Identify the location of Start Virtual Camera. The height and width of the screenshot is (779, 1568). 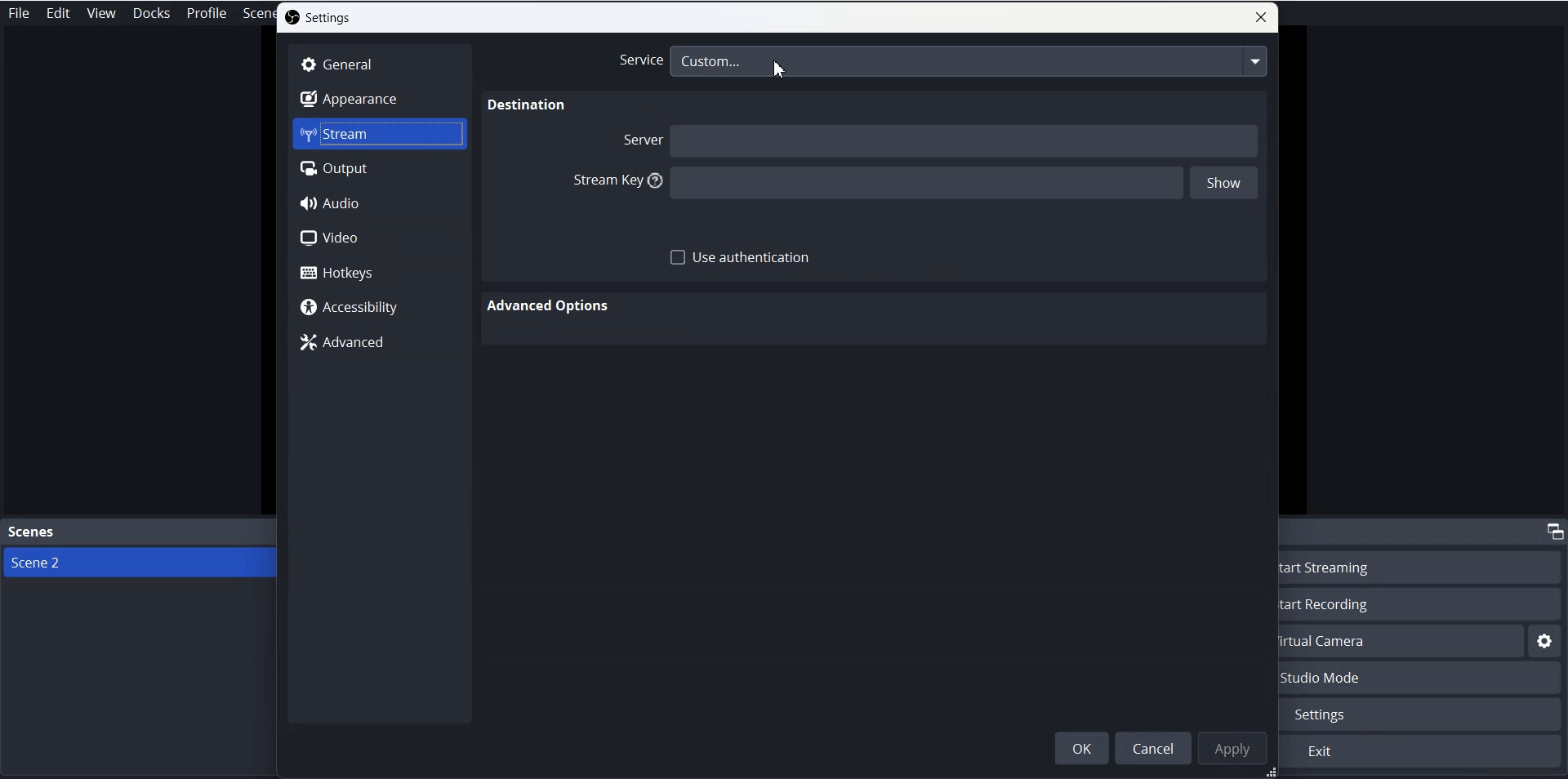
(1402, 641).